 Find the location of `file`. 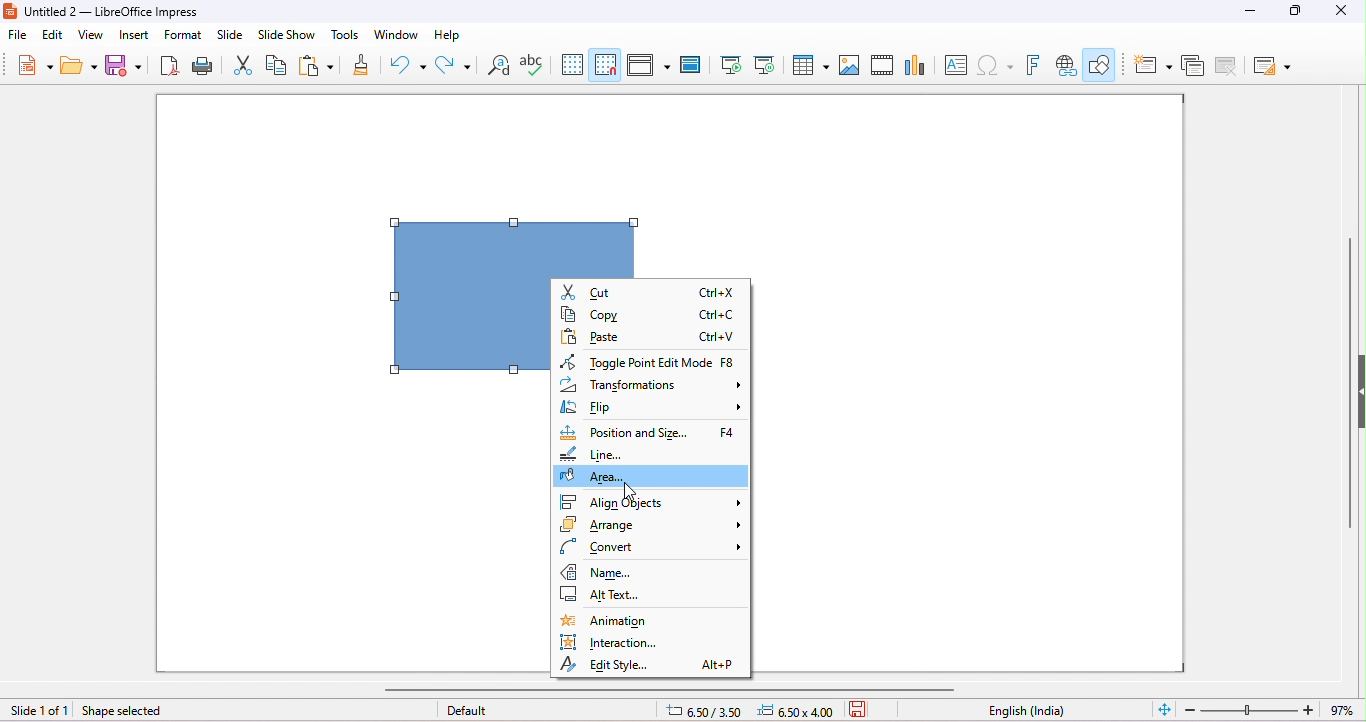

file is located at coordinates (17, 35).